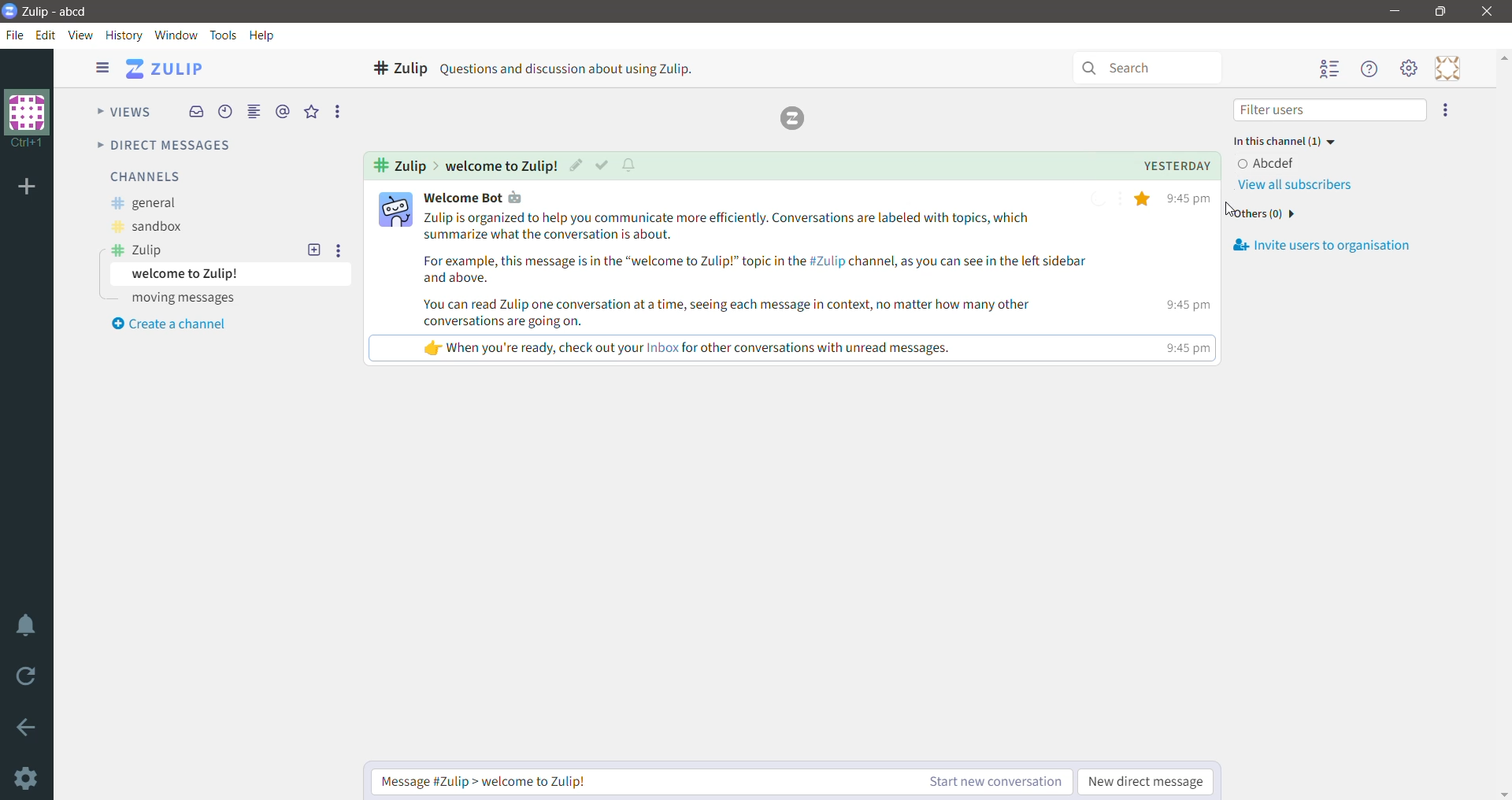 The height and width of the screenshot is (800, 1512). I want to click on Cursor, so click(1231, 209).